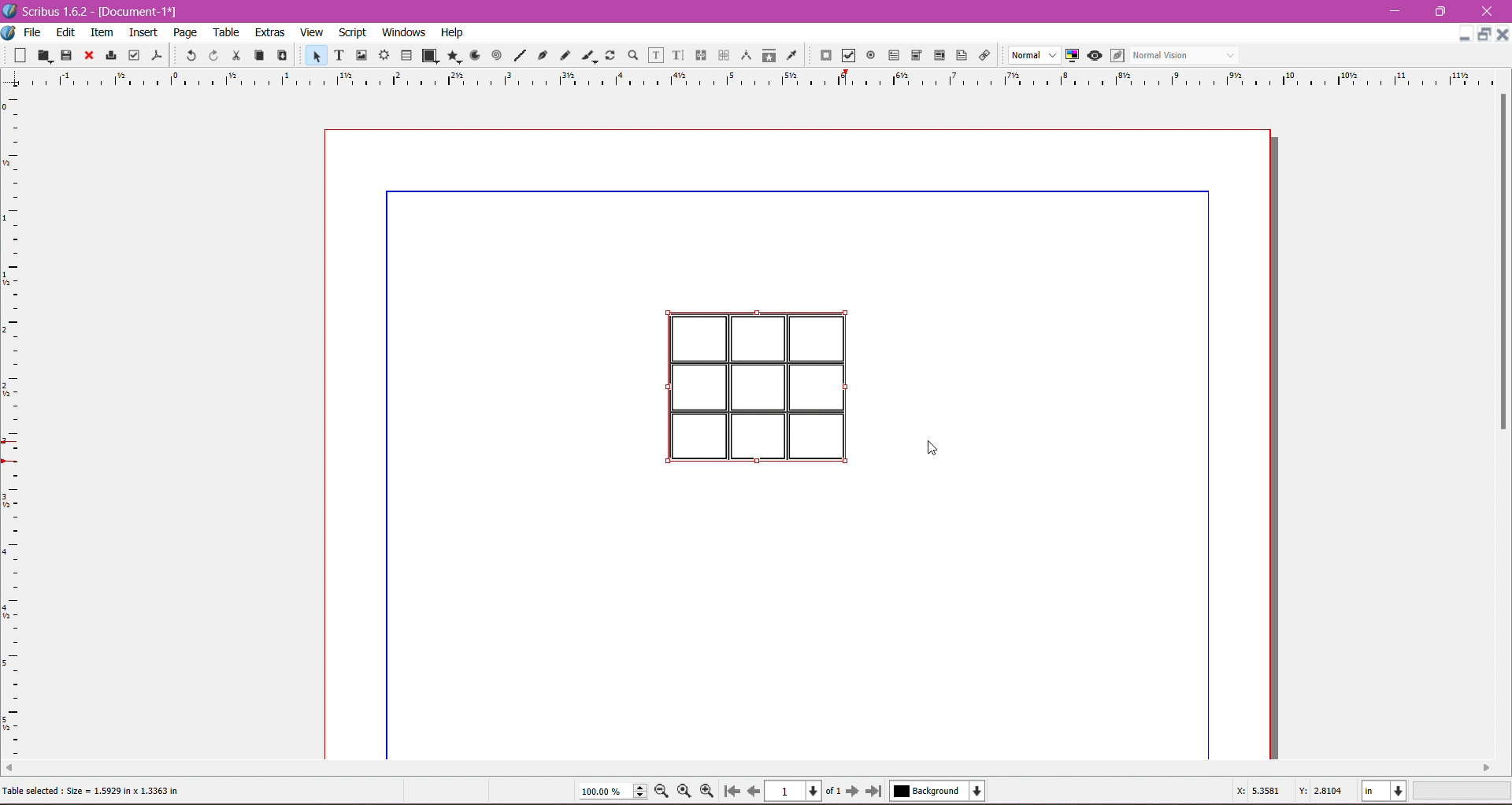  I want to click on scroll bar, so click(749, 770).